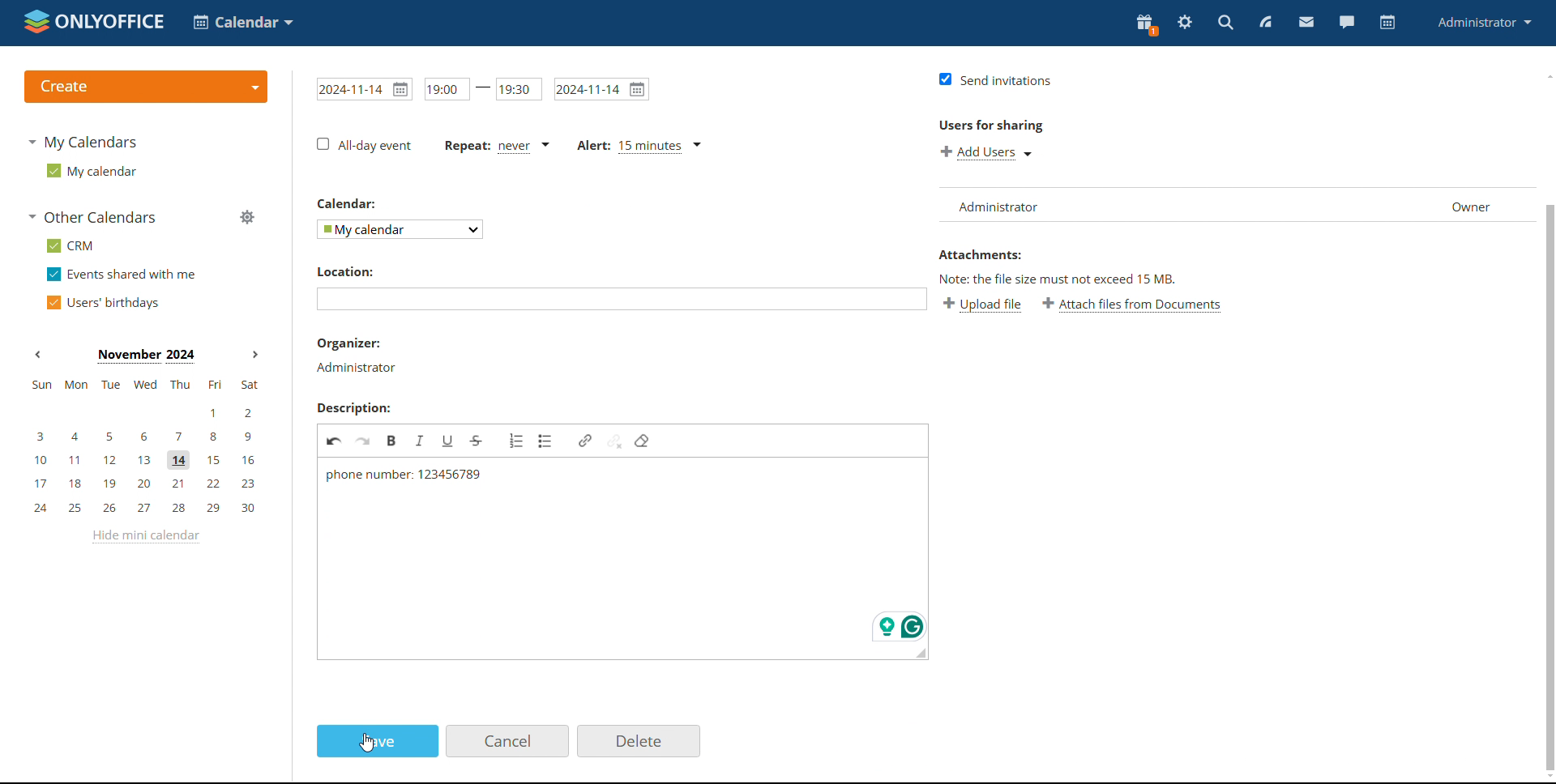 The height and width of the screenshot is (784, 1556). Describe the element at coordinates (546, 443) in the screenshot. I see `bullet list` at that location.